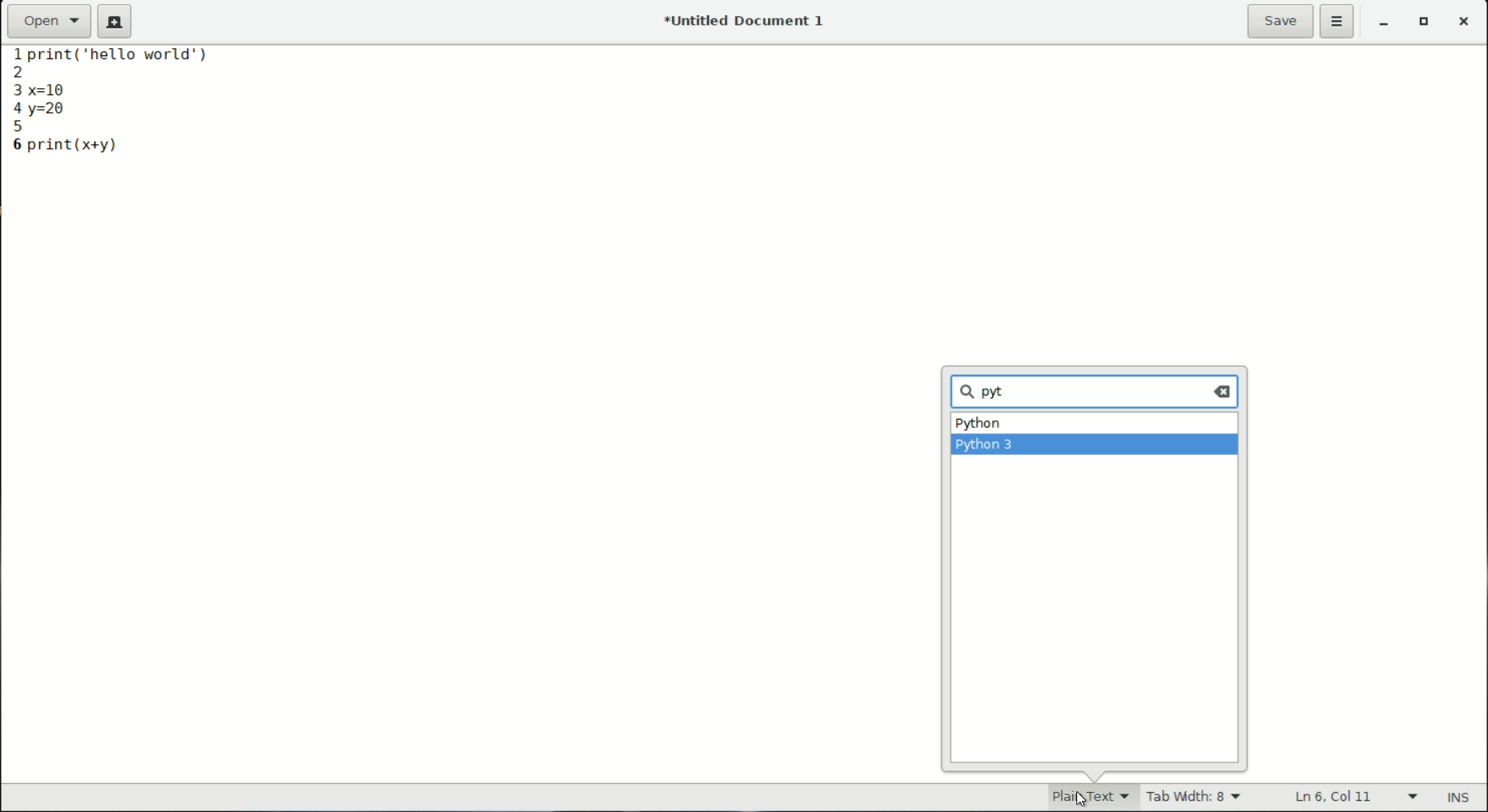  What do you see at coordinates (1194, 798) in the screenshot?
I see `tab width` at bounding box center [1194, 798].